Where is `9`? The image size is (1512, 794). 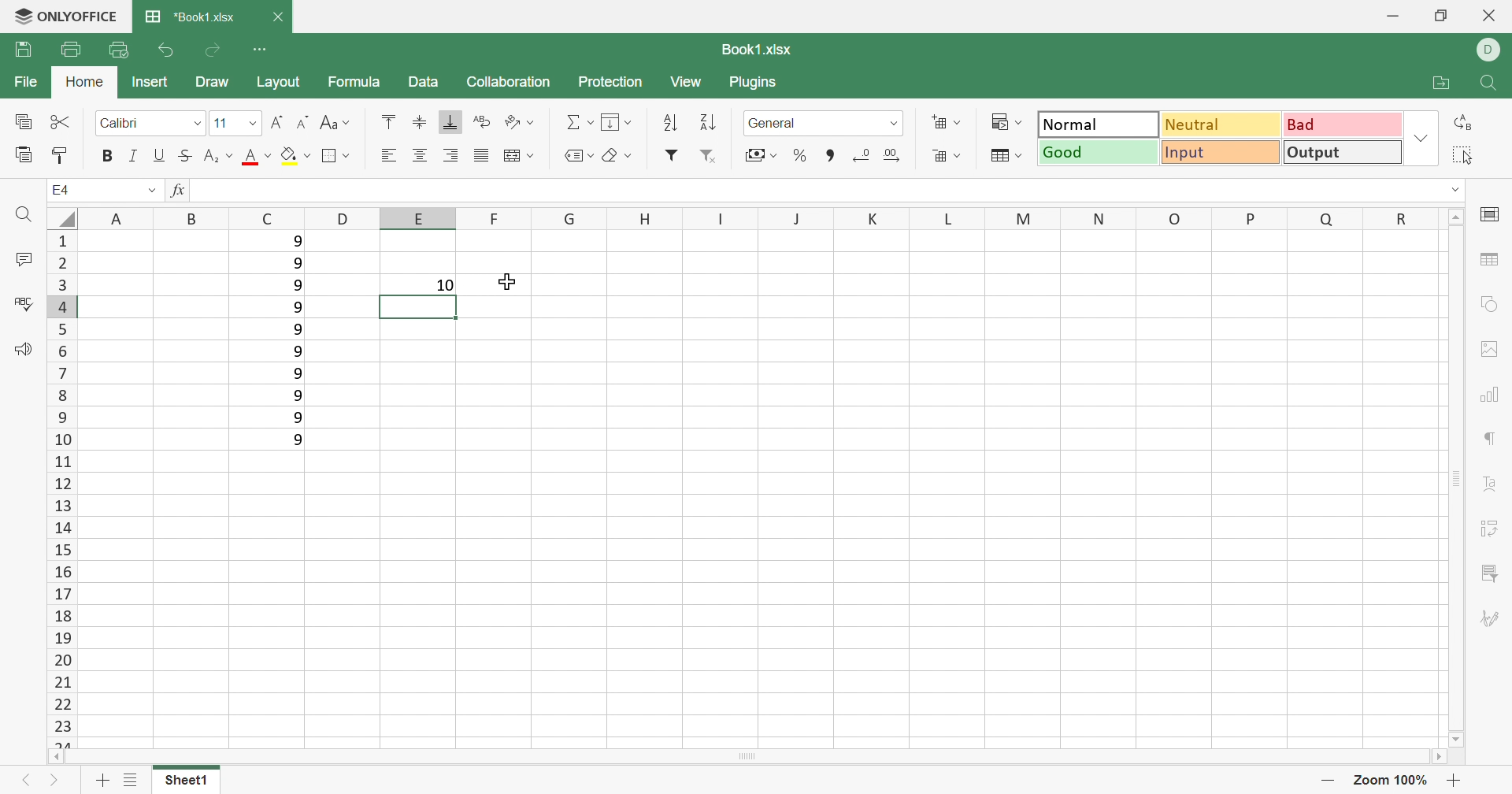
9 is located at coordinates (296, 375).